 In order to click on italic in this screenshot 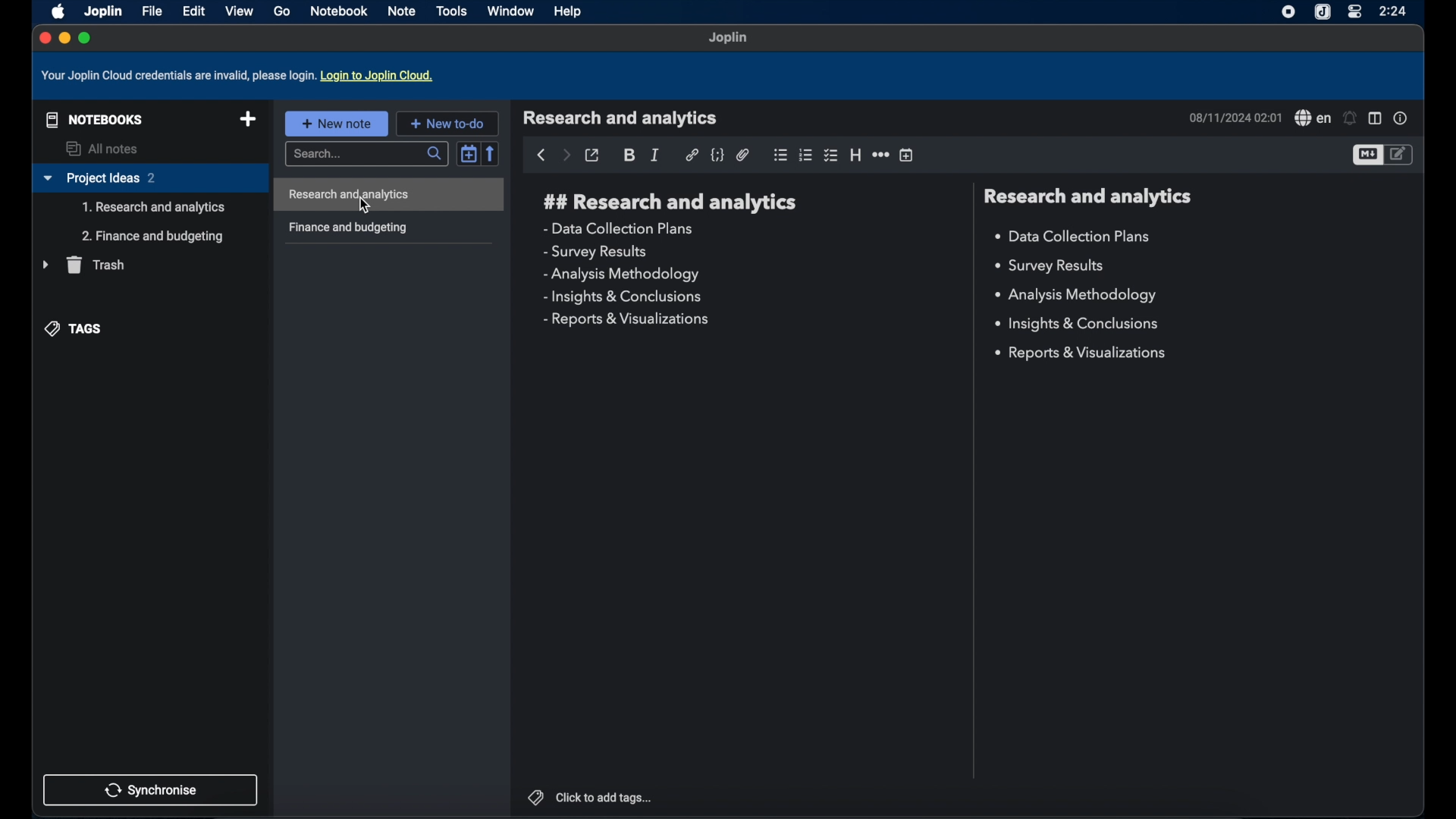, I will do `click(656, 155)`.